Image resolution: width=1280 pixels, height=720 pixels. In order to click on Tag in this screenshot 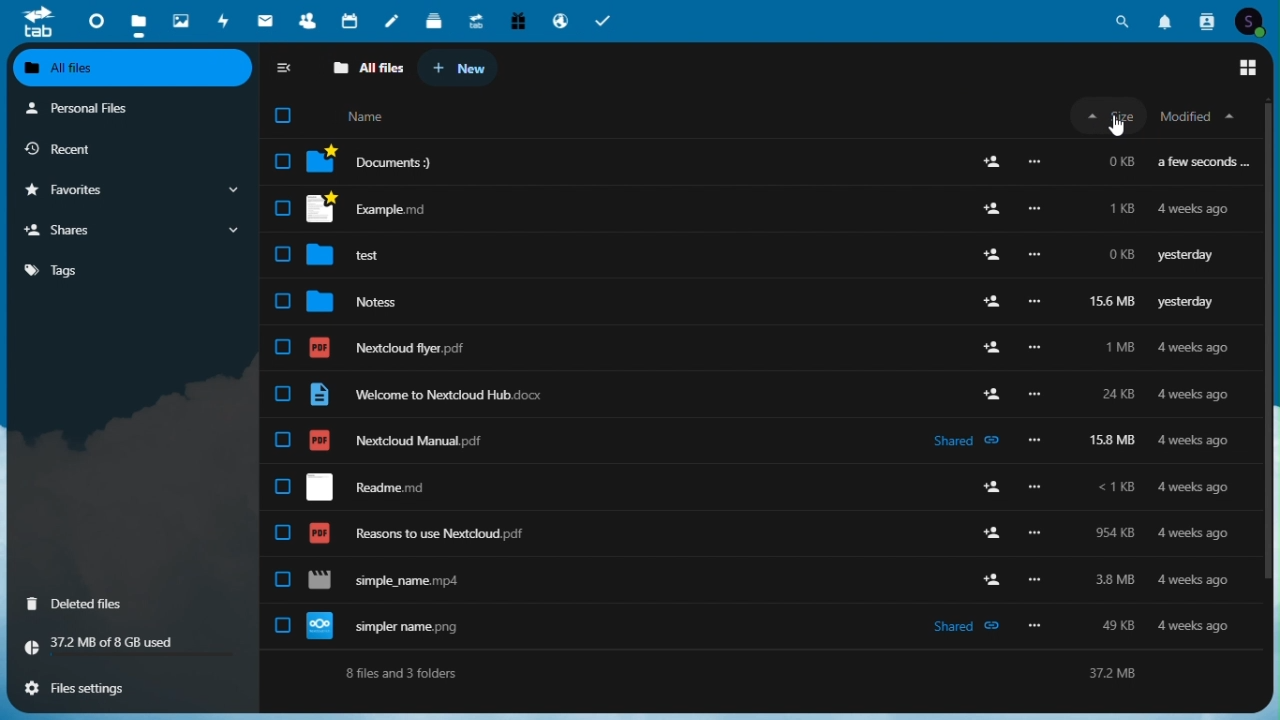, I will do `click(71, 268)`.